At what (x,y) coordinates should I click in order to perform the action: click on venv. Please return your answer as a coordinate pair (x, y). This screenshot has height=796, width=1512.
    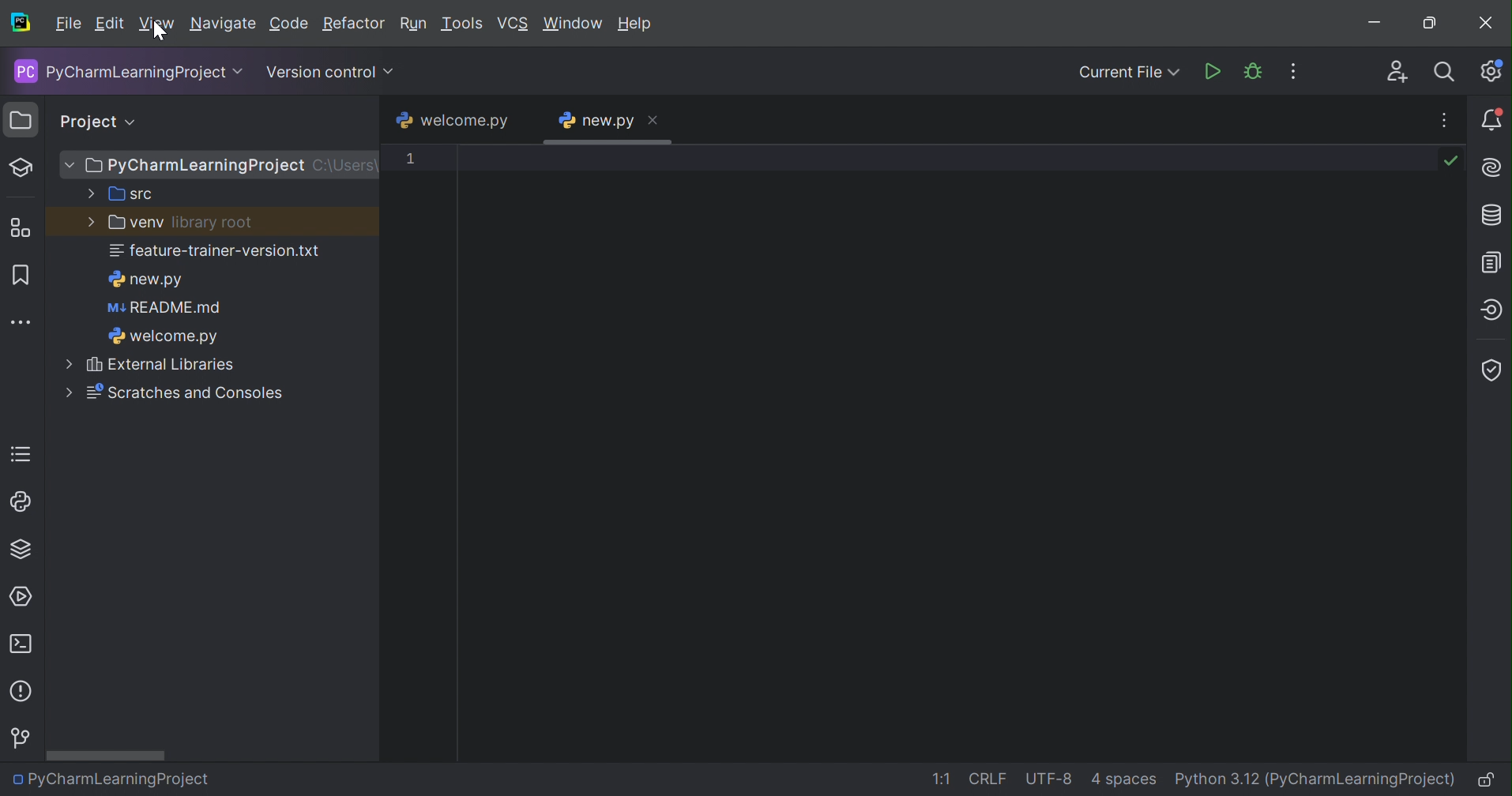
    Looking at the image, I should click on (124, 223).